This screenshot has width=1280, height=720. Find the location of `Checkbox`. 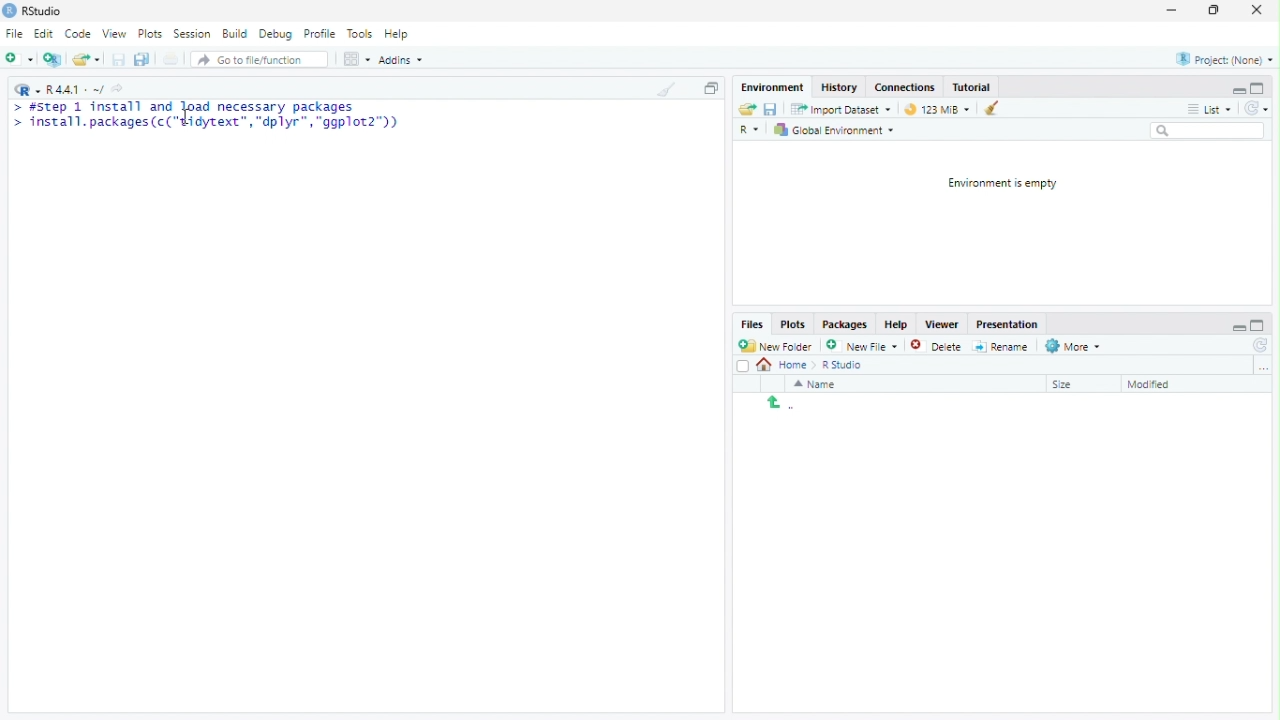

Checkbox is located at coordinates (743, 367).